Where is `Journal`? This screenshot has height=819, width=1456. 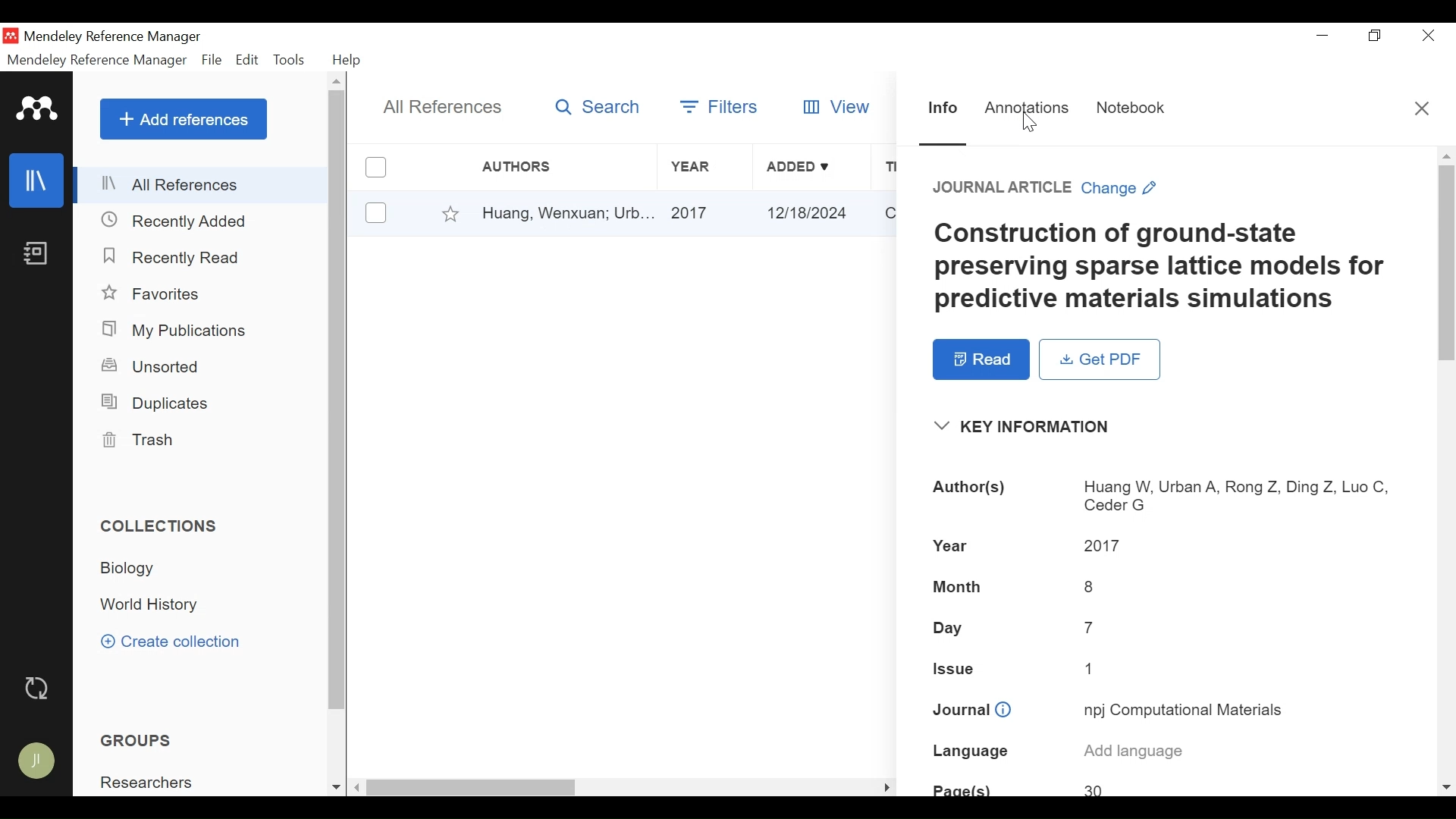
Journal is located at coordinates (959, 711).